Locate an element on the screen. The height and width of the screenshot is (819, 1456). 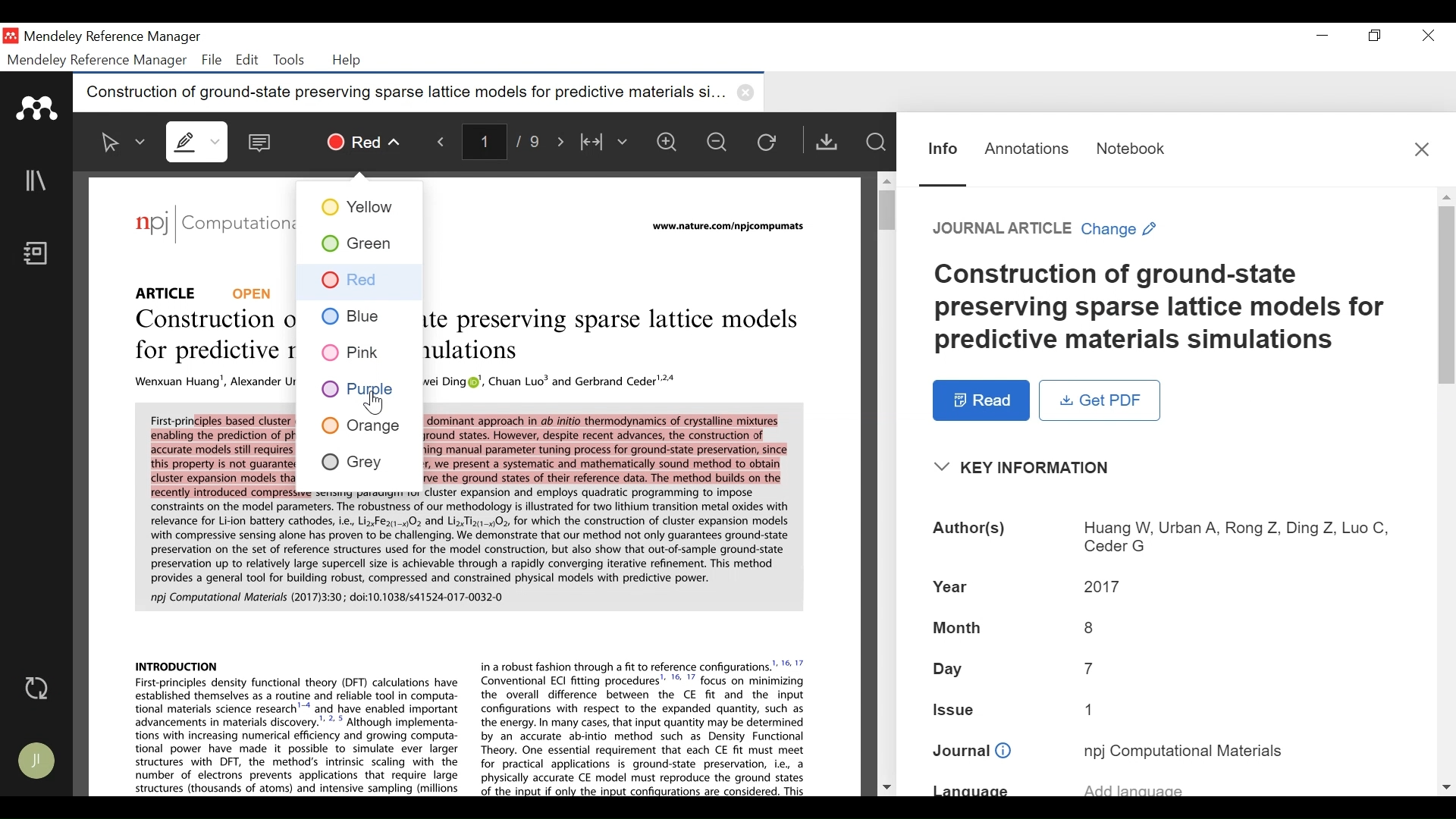
Comment is located at coordinates (261, 143).